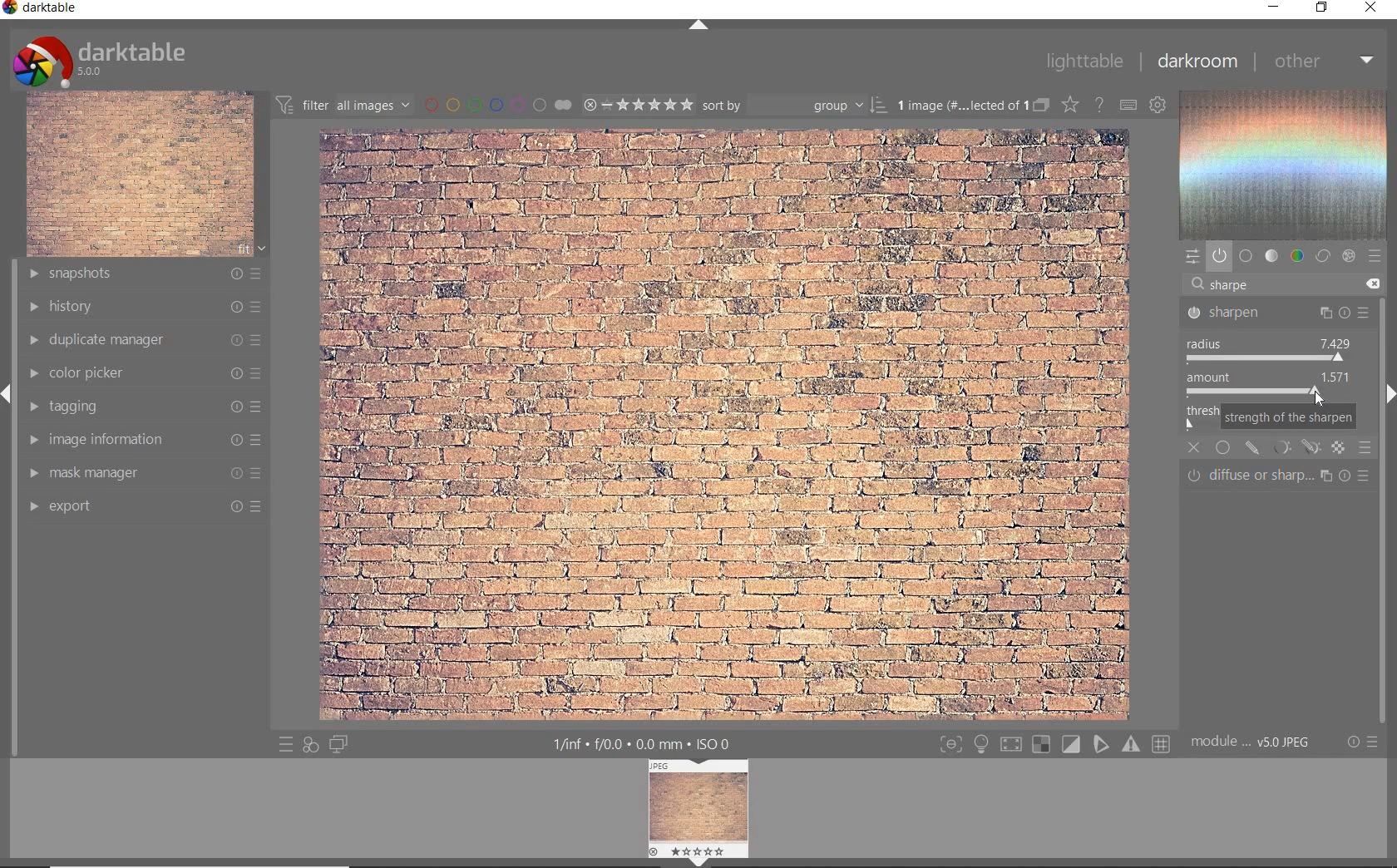 The image size is (1397, 868). What do you see at coordinates (1360, 742) in the screenshot?
I see `reset or preset preference` at bounding box center [1360, 742].